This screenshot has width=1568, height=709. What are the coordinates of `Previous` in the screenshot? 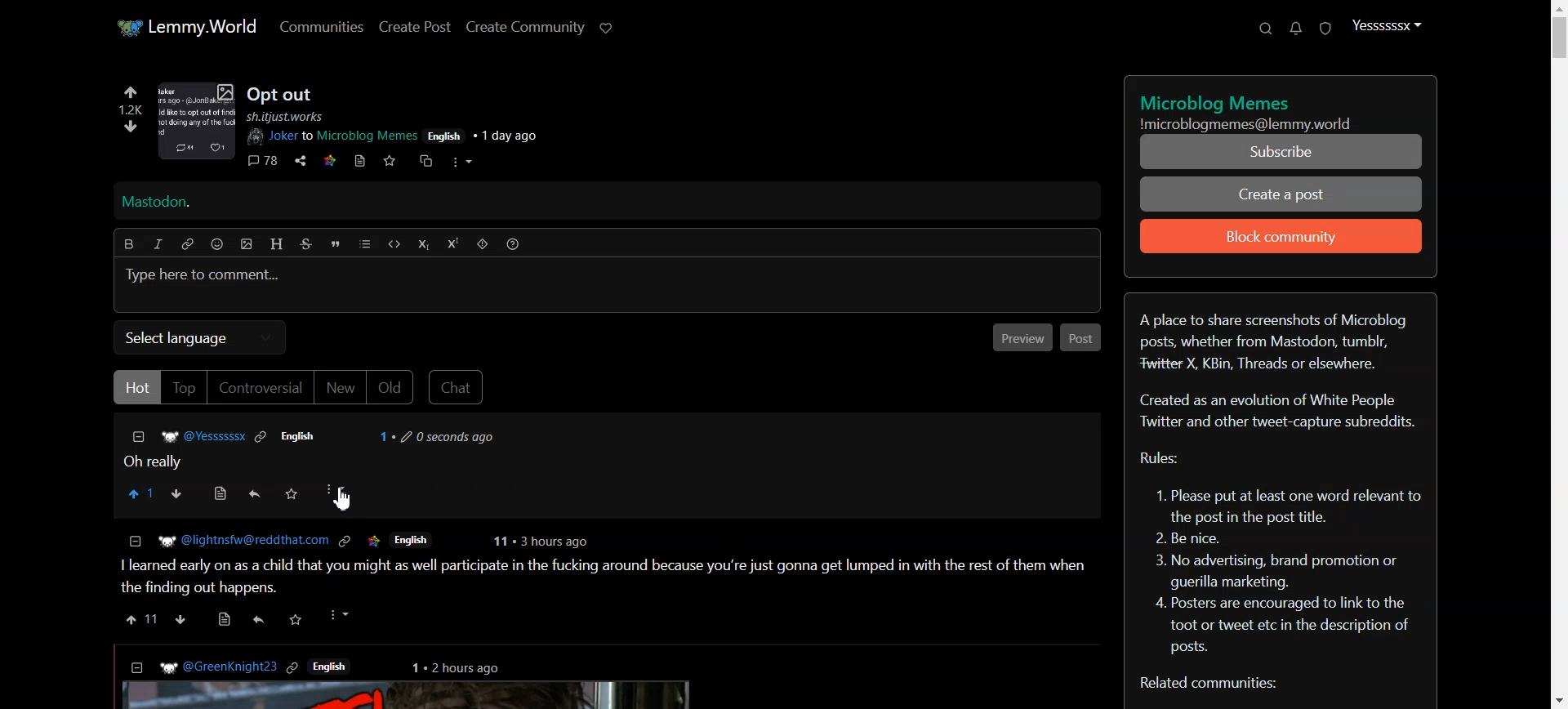 It's located at (1021, 337).